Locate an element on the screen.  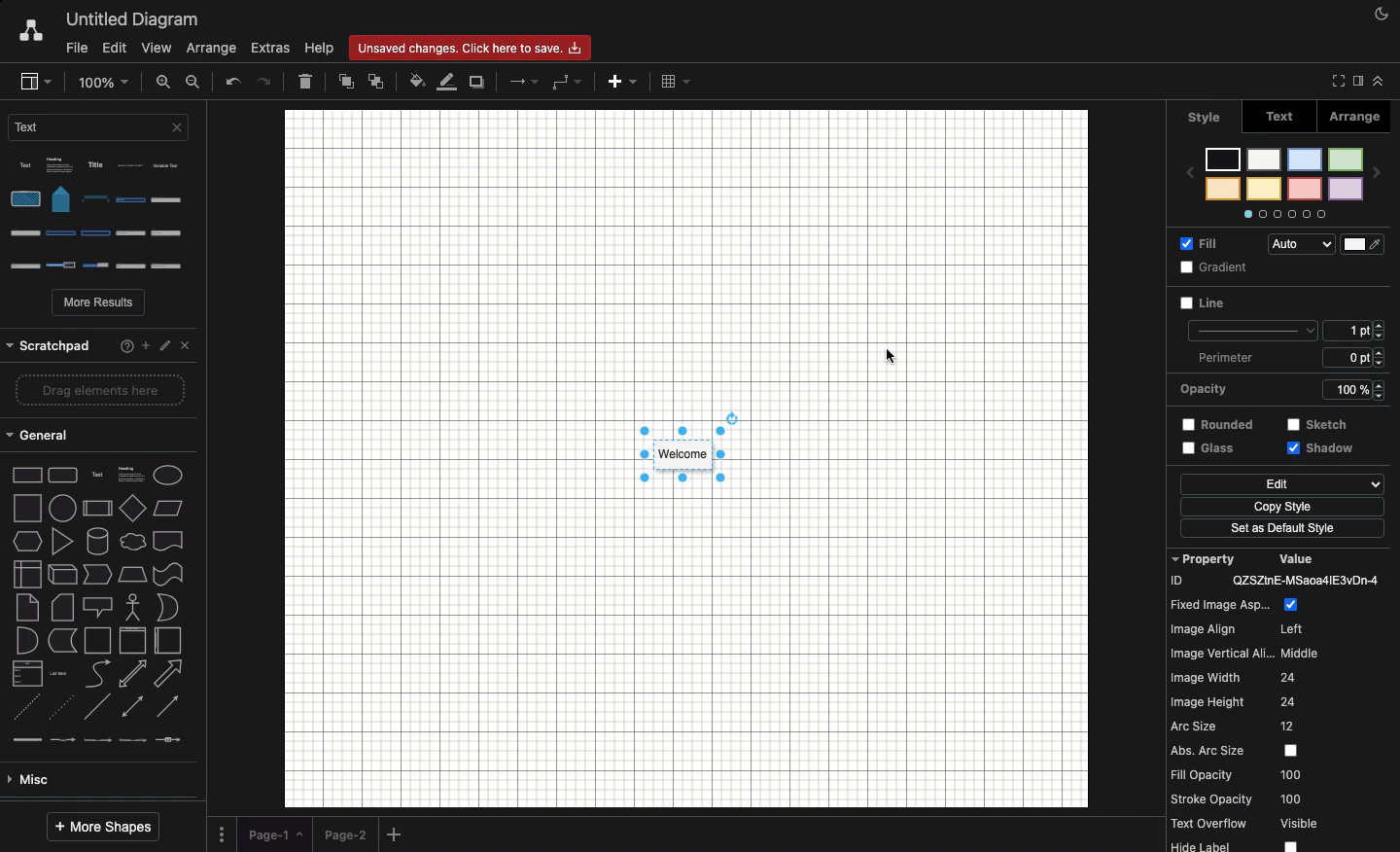
Size is located at coordinates (1358, 301).